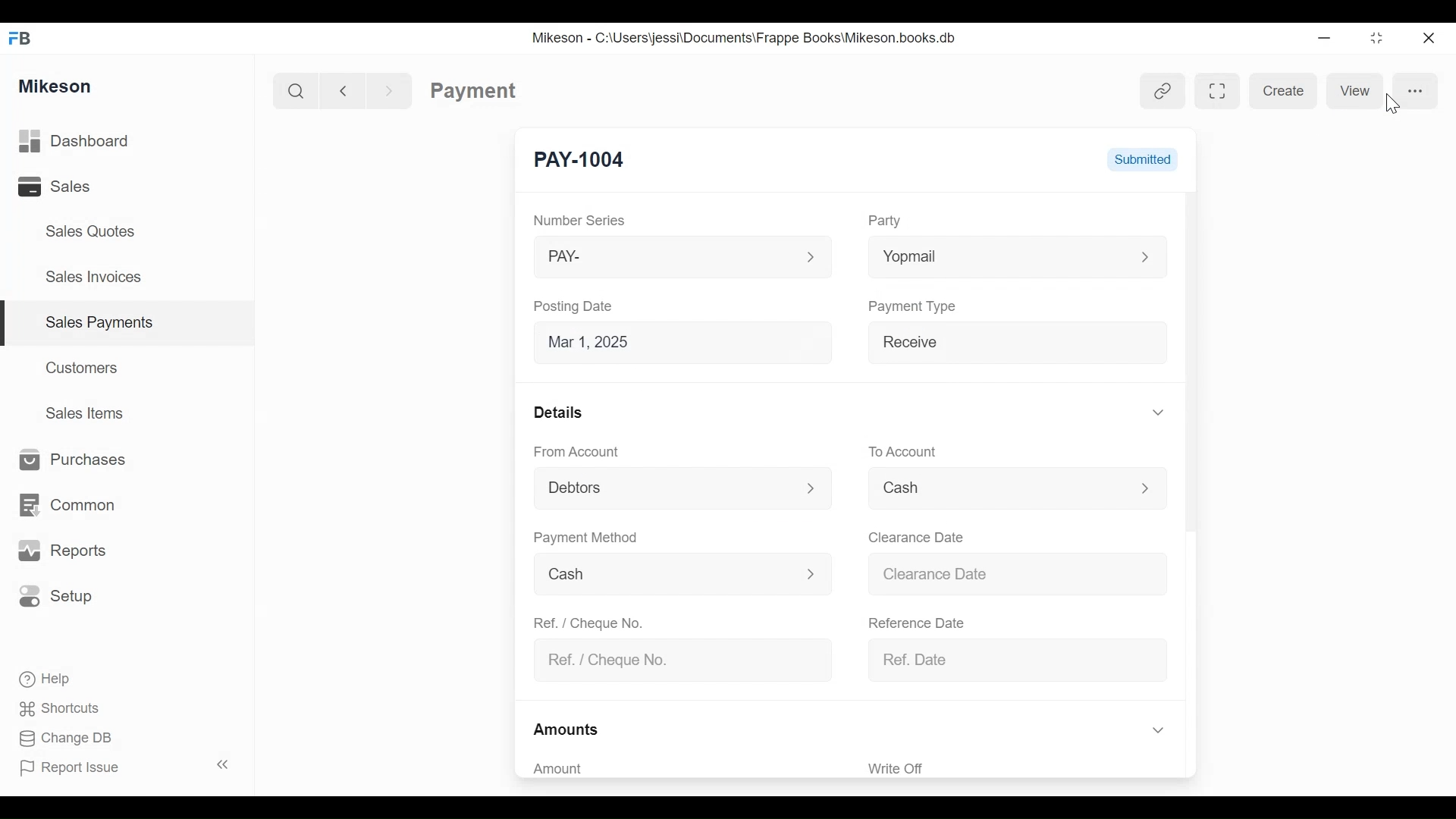 Image resolution: width=1456 pixels, height=819 pixels. Describe the element at coordinates (24, 36) in the screenshot. I see `FB` at that location.